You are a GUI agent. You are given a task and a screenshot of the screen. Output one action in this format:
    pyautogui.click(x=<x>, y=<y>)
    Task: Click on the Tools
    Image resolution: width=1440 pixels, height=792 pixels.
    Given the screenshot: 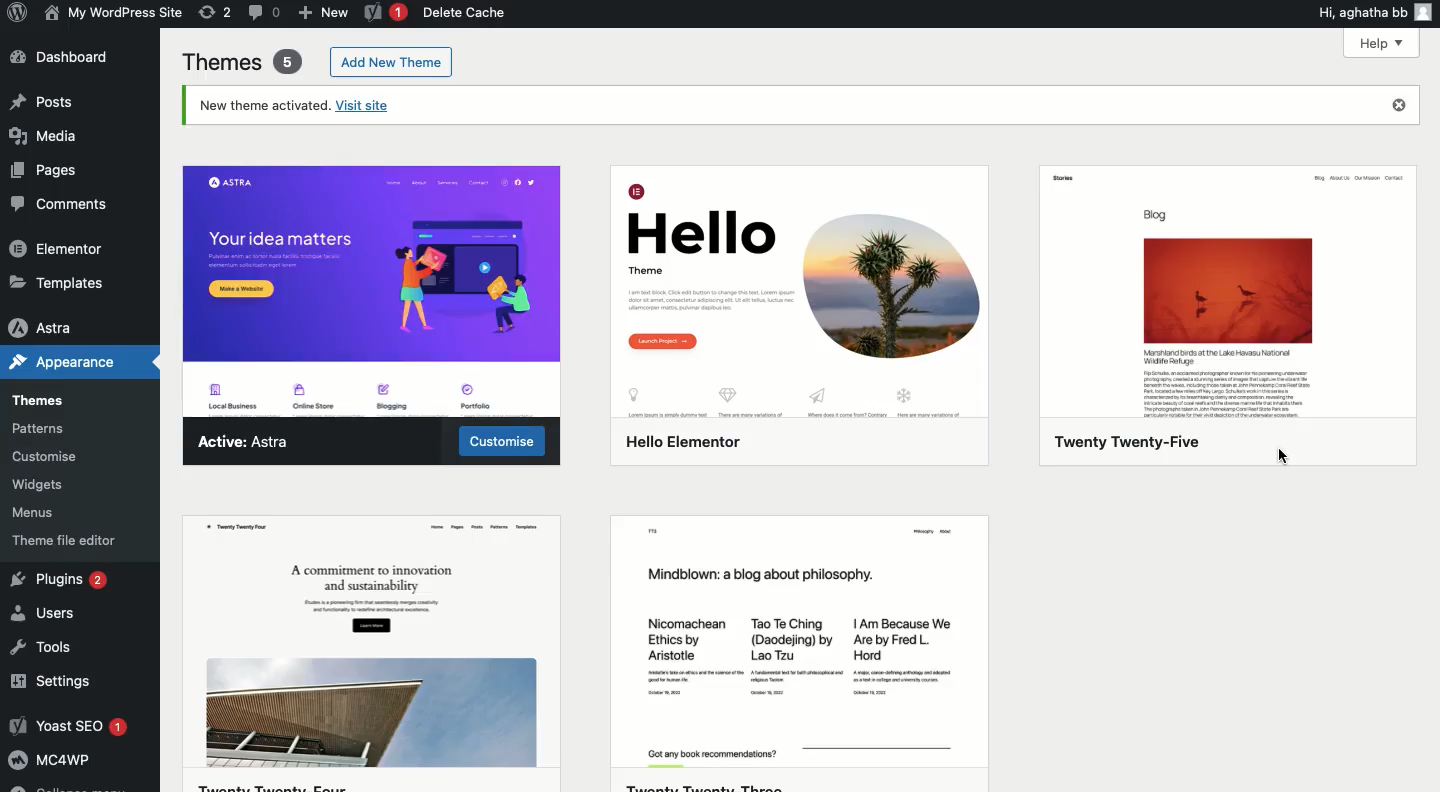 What is the action you would take?
    pyautogui.click(x=51, y=647)
    